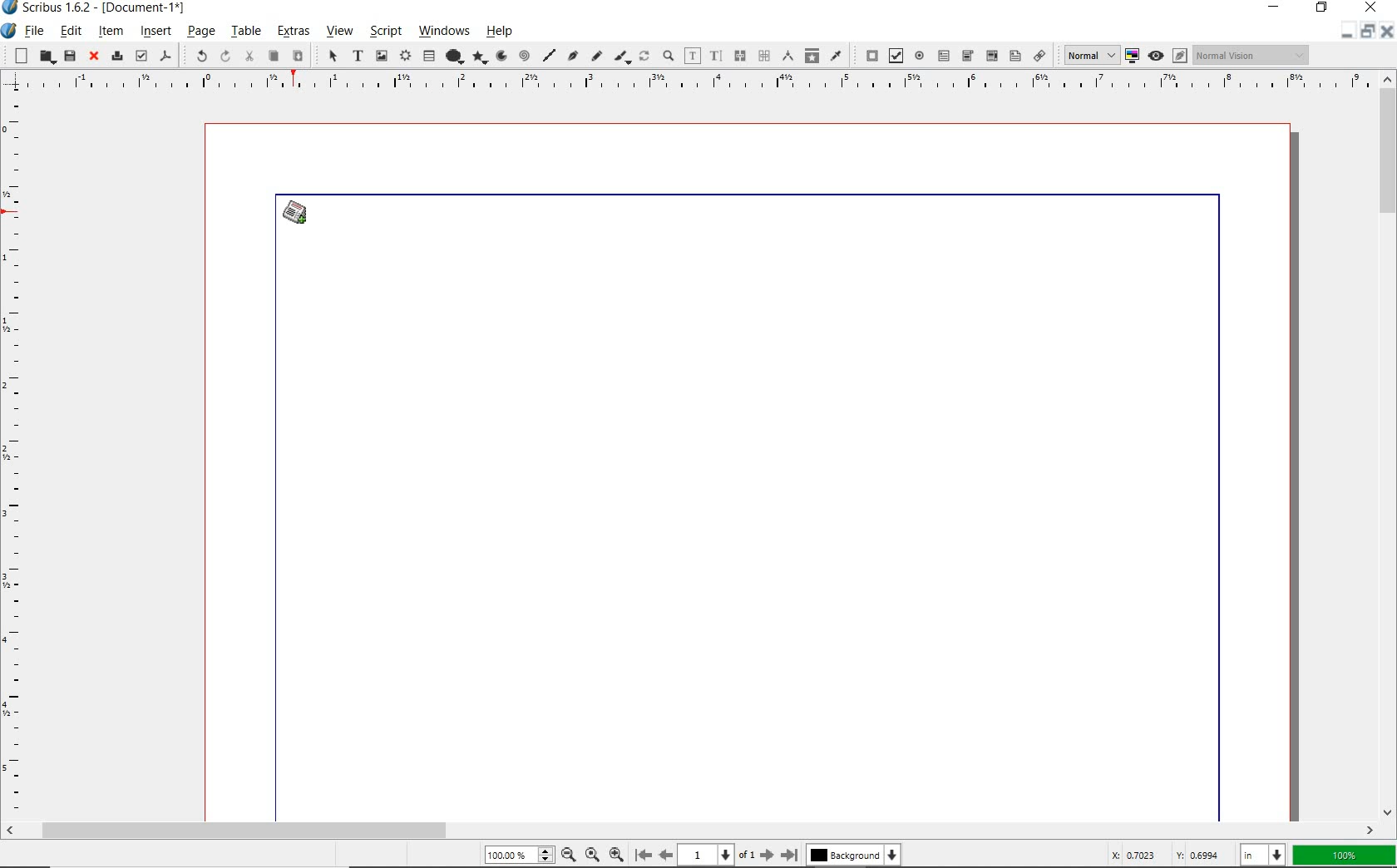  What do you see at coordinates (93, 57) in the screenshot?
I see `close` at bounding box center [93, 57].